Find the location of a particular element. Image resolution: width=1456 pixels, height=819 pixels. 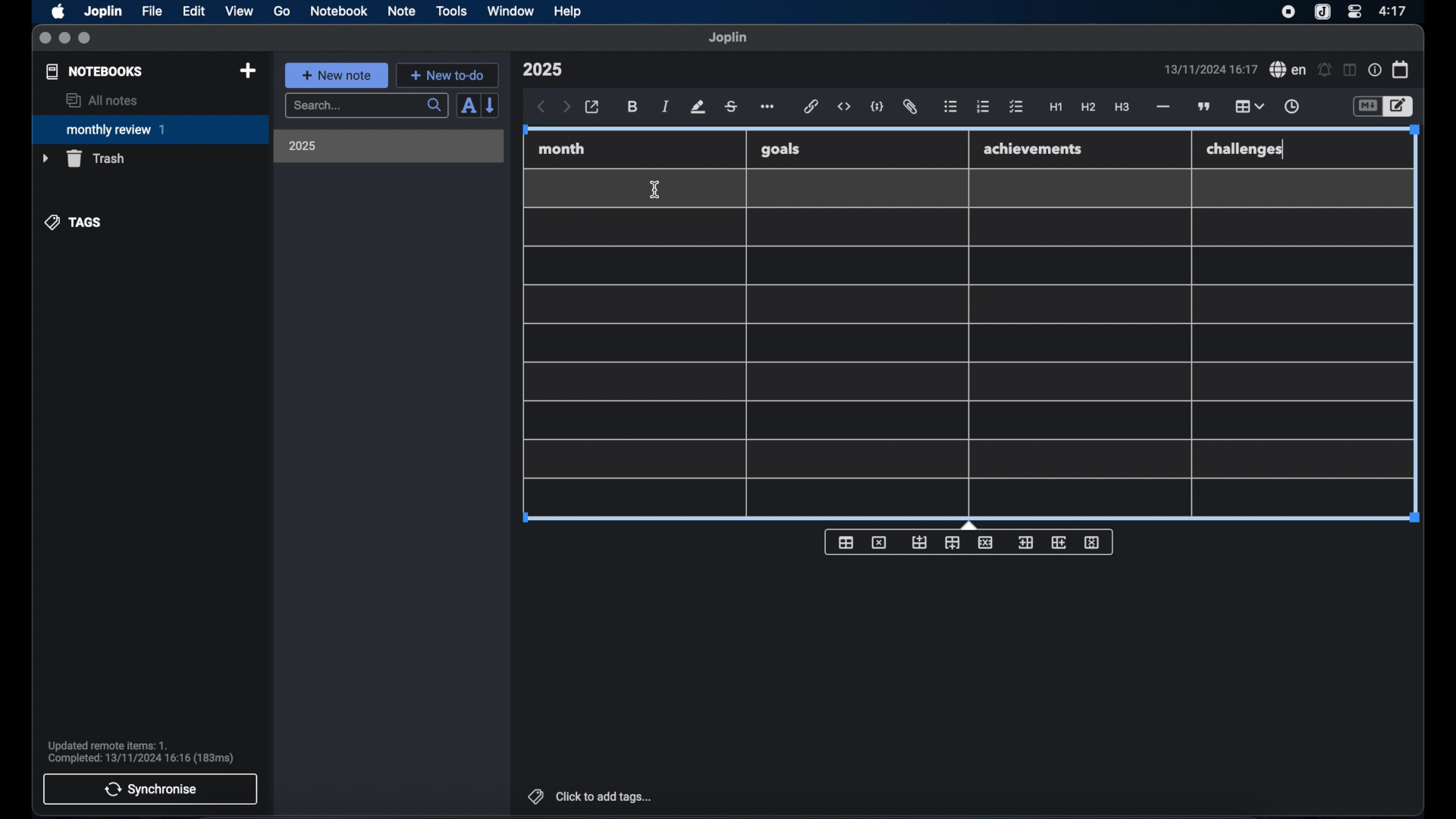

note properties is located at coordinates (1375, 71).